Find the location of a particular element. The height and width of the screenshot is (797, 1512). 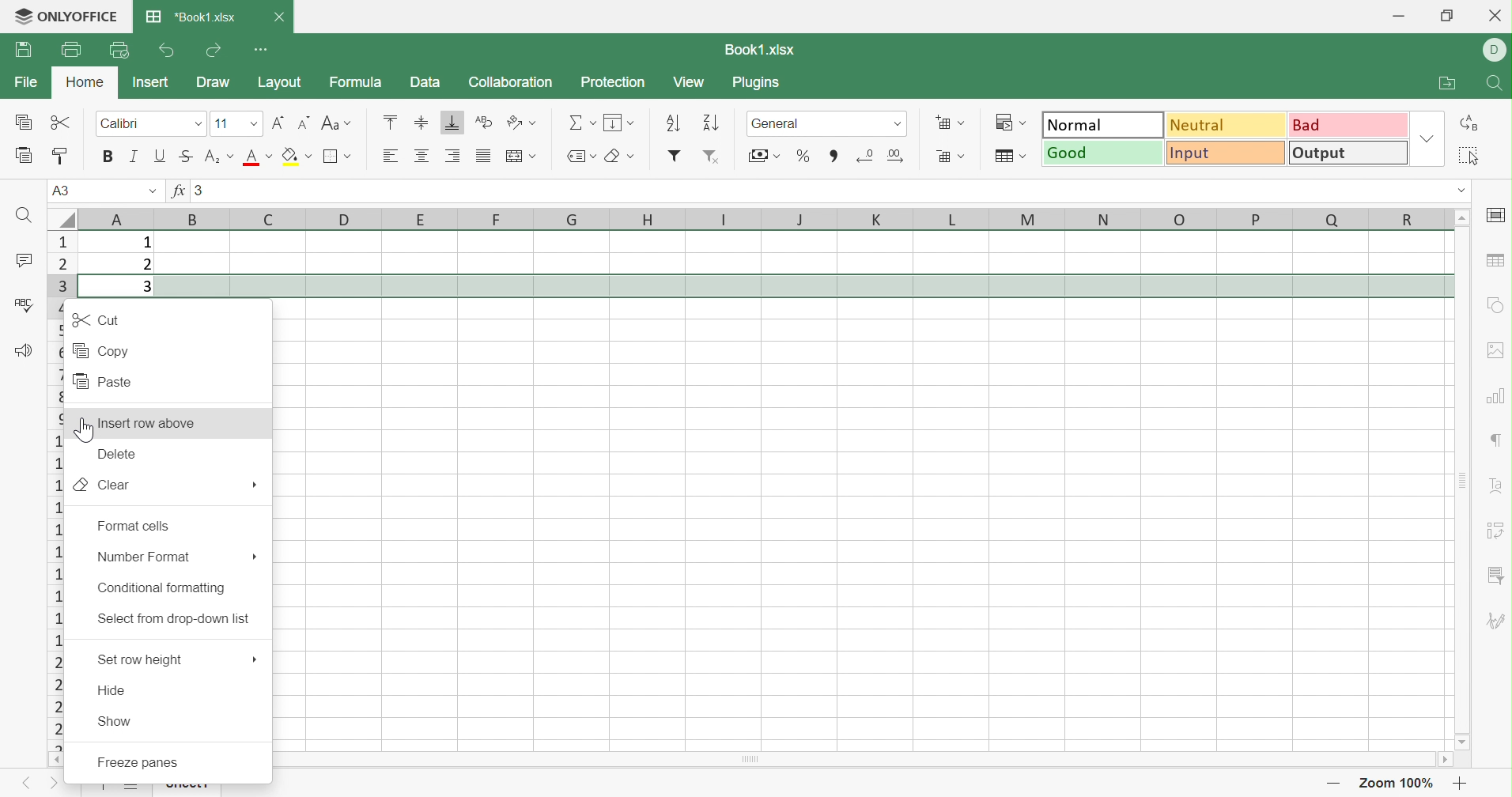

4 is located at coordinates (145, 308).